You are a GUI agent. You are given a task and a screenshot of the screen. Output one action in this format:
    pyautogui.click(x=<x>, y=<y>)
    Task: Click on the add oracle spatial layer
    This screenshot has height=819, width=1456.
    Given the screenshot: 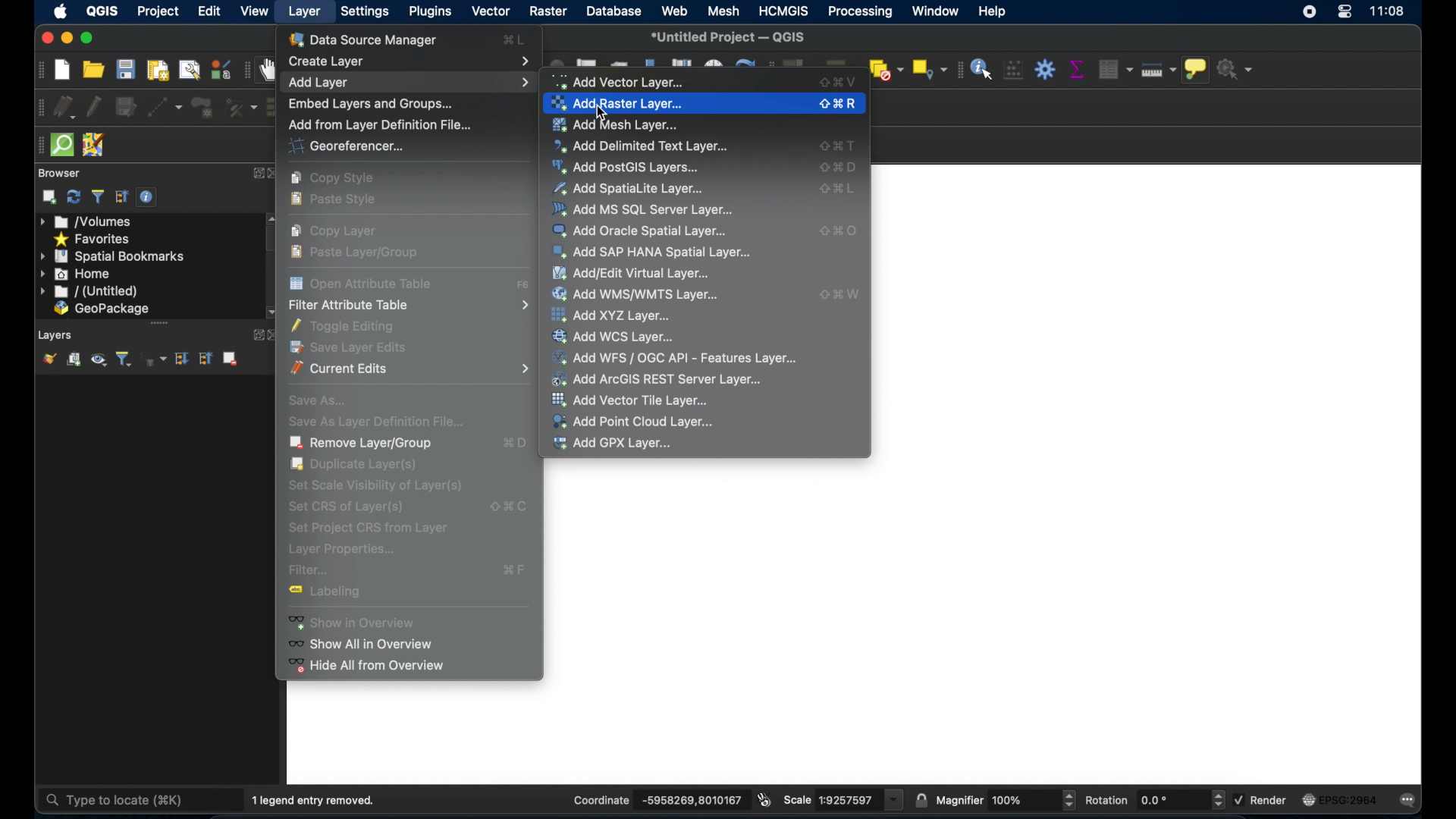 What is the action you would take?
    pyautogui.click(x=839, y=231)
    